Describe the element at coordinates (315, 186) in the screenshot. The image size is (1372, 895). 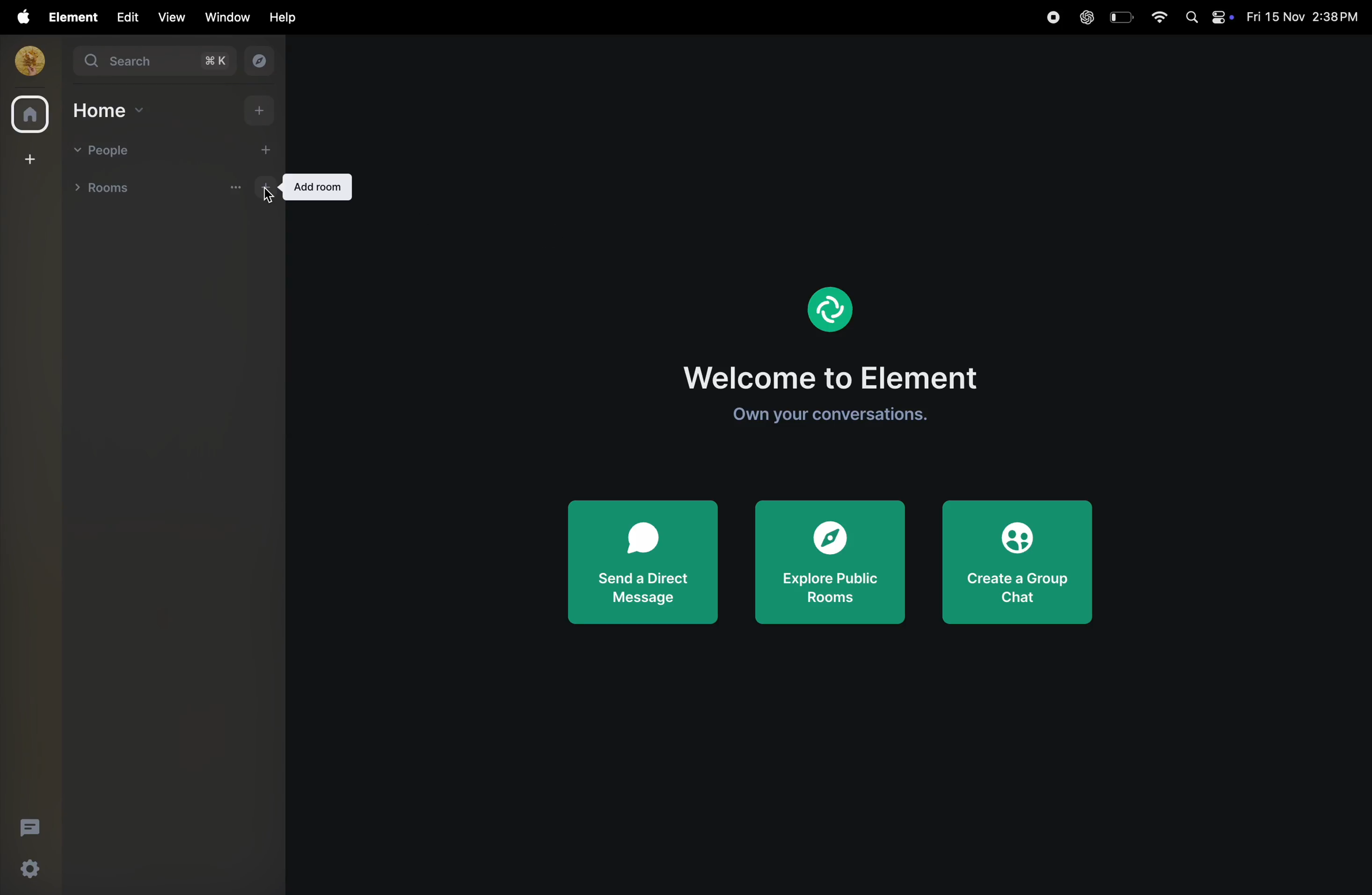
I see `Add room` at that location.